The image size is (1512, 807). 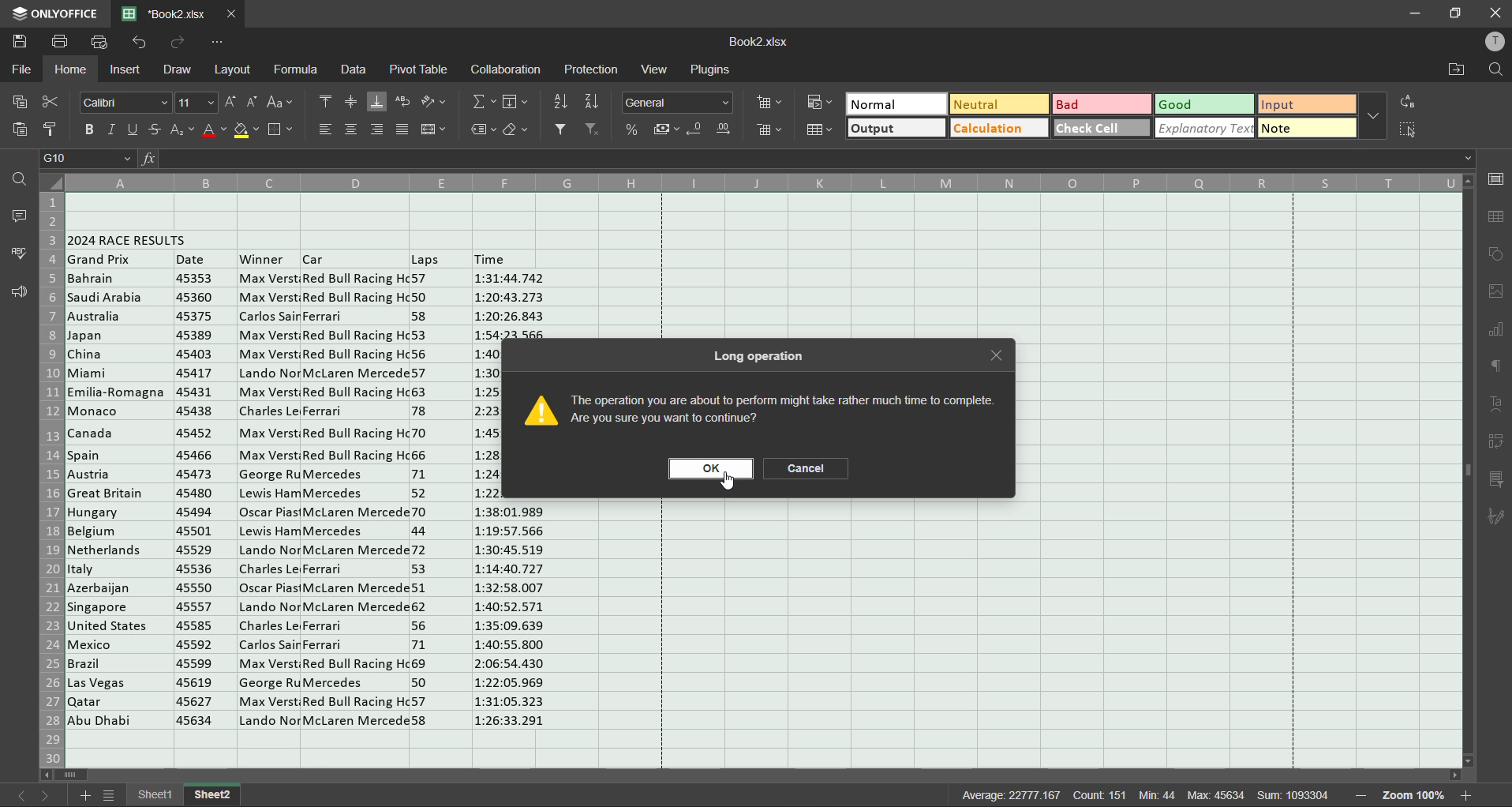 I want to click on data, so click(x=352, y=72).